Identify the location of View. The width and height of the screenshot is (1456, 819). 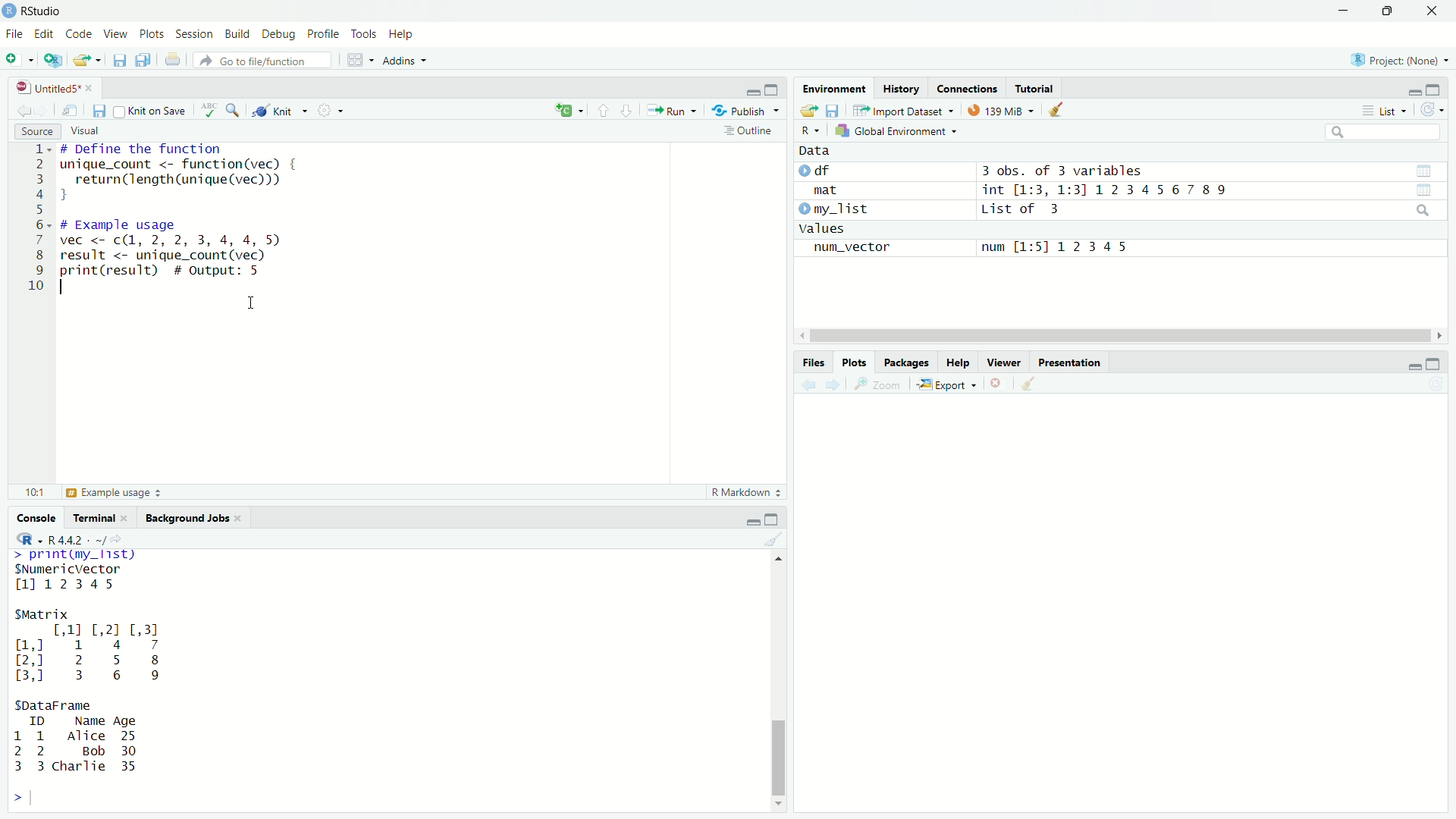
(115, 35).